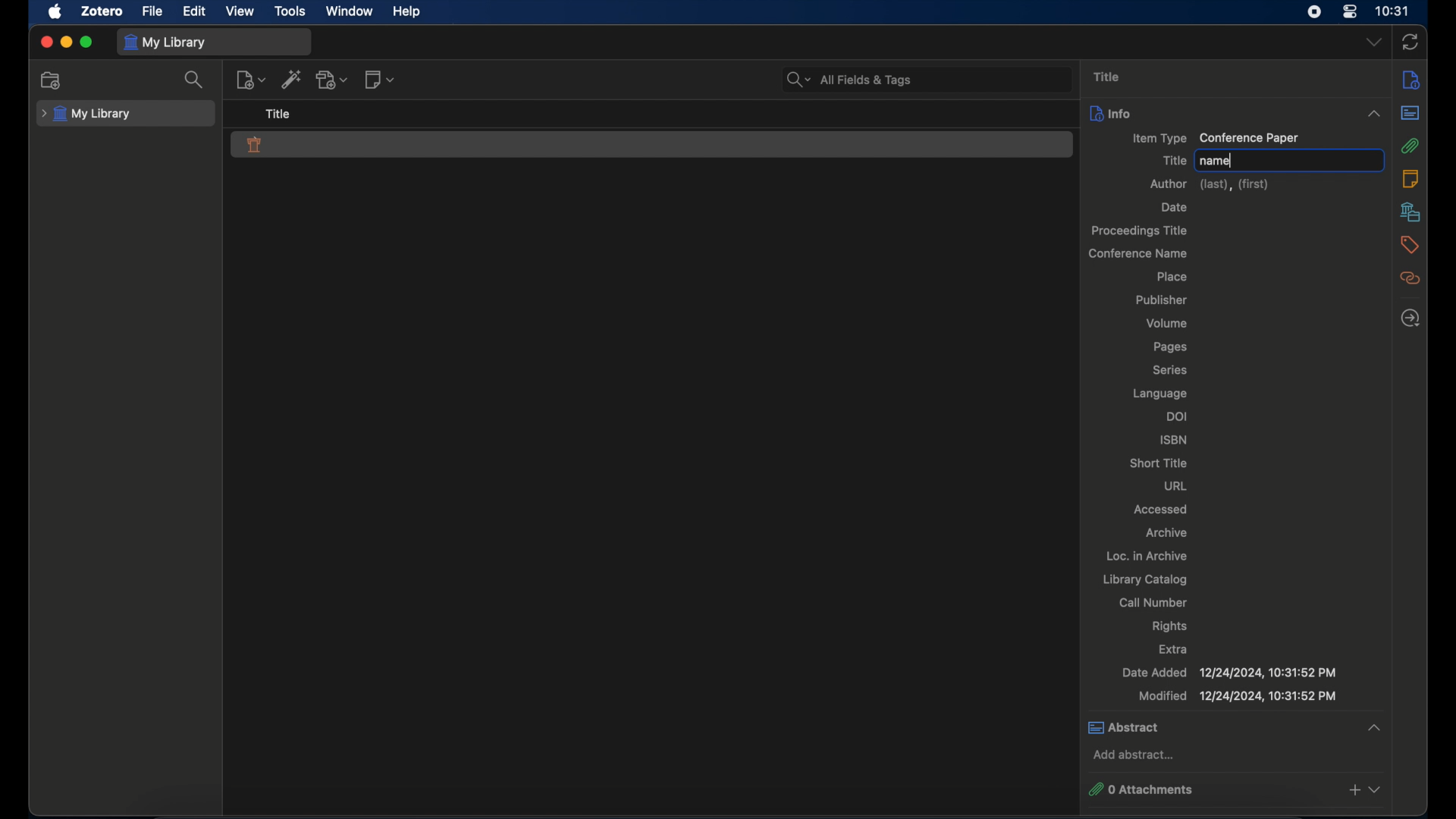 The height and width of the screenshot is (819, 1456). What do you see at coordinates (240, 11) in the screenshot?
I see `view` at bounding box center [240, 11].